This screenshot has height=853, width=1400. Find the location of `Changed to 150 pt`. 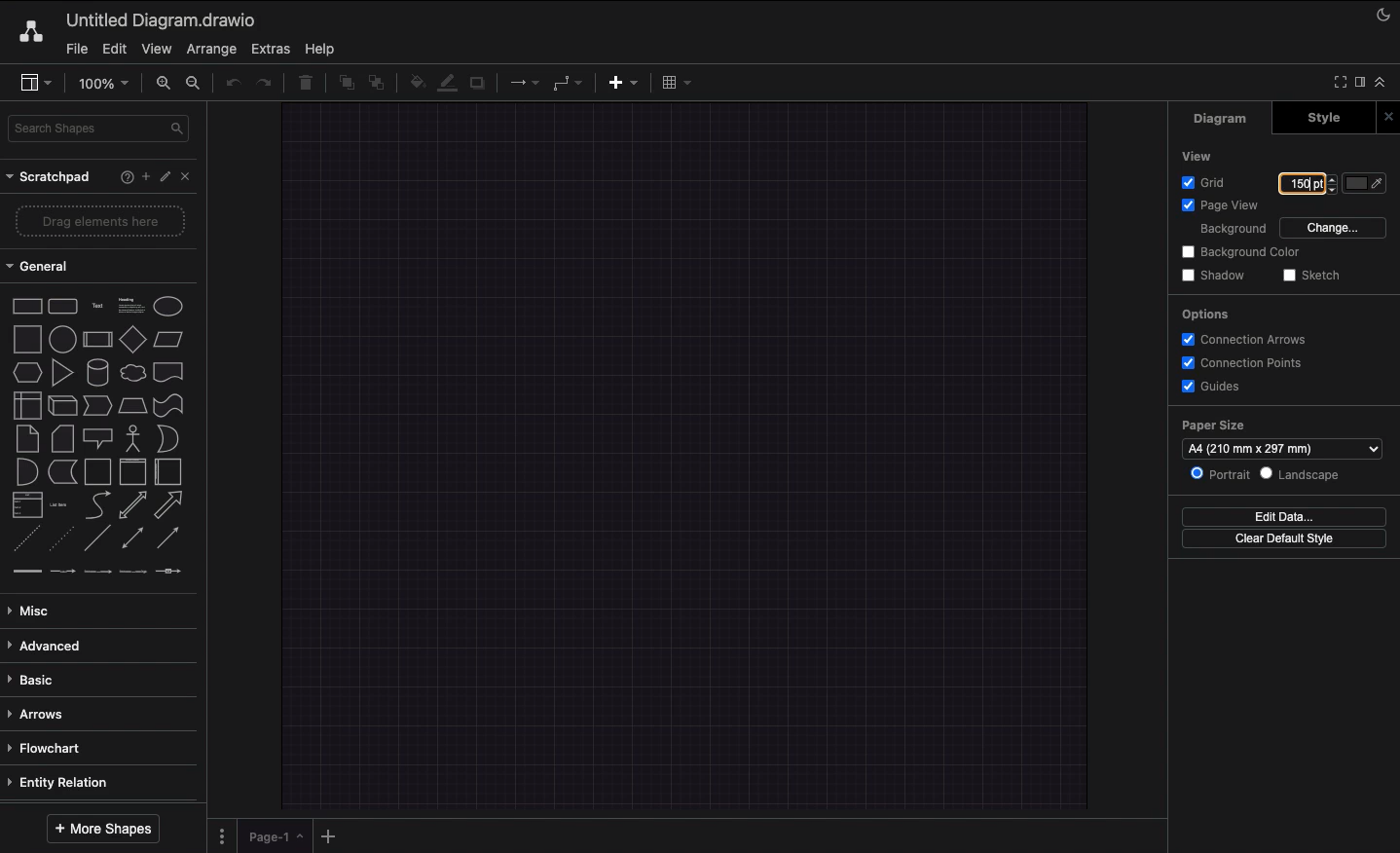

Changed to 150 pt is located at coordinates (1307, 183).